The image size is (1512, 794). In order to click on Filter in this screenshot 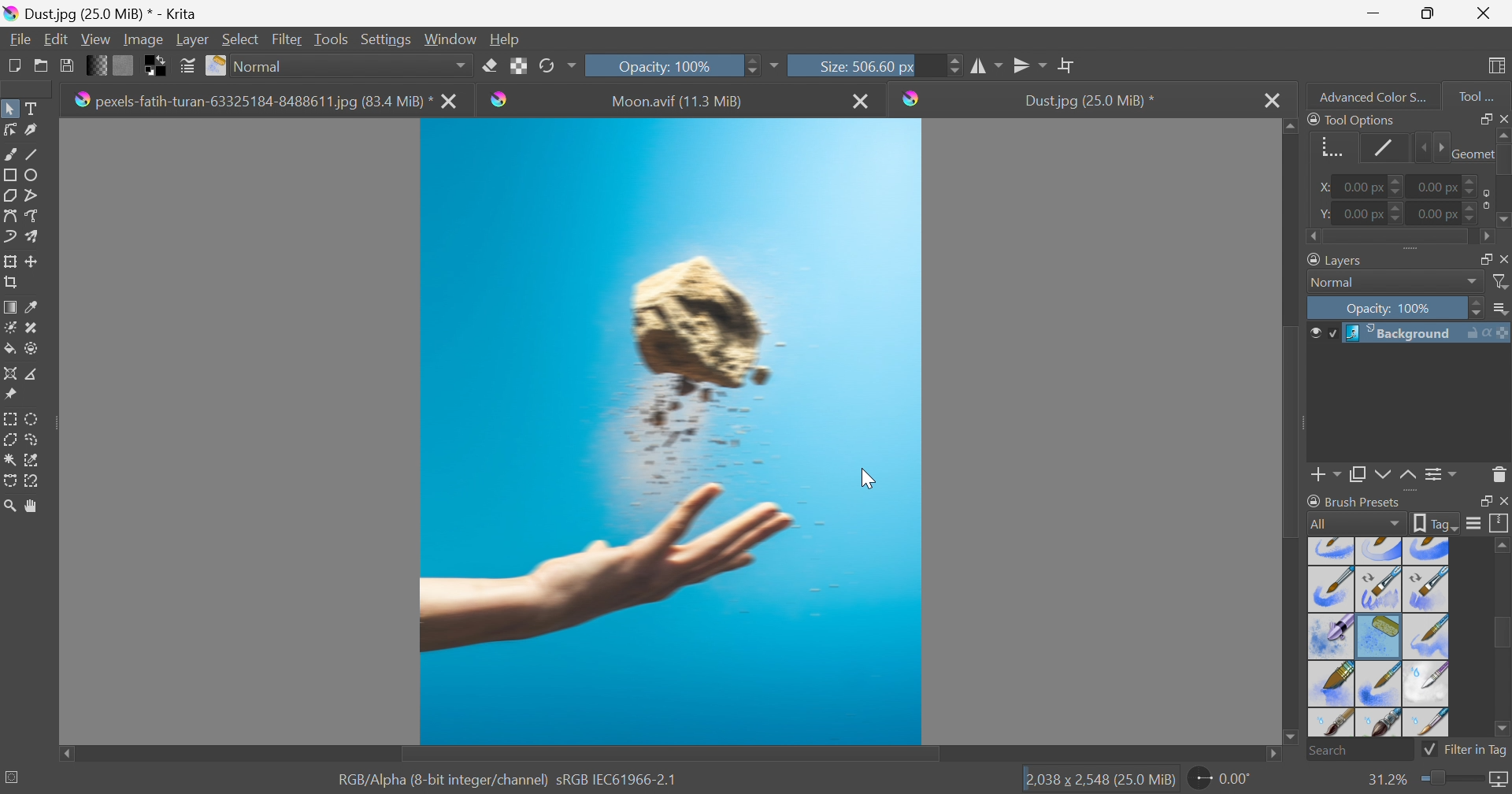, I will do `click(1502, 282)`.